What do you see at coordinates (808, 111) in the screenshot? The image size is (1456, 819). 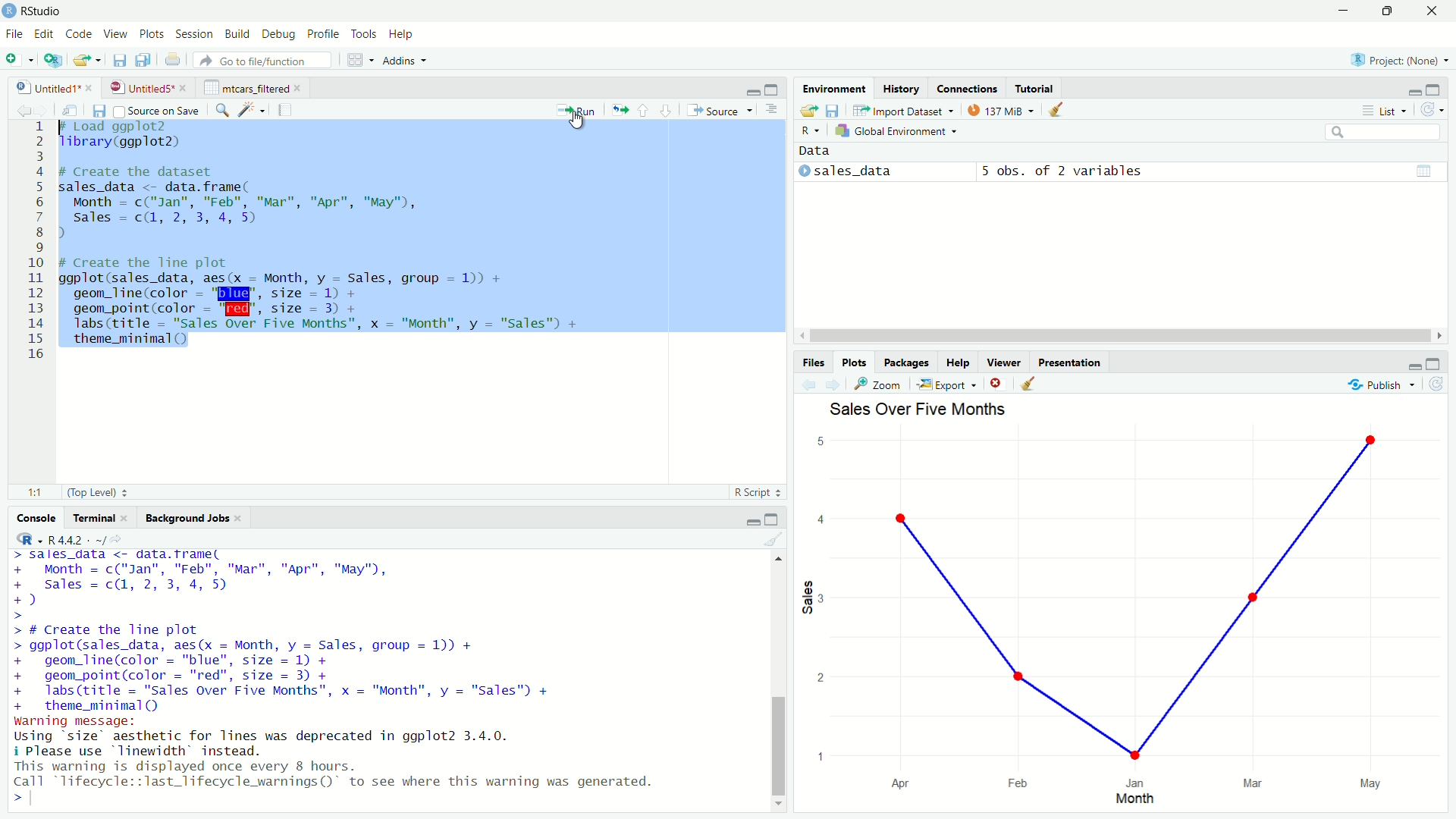 I see `open file` at bounding box center [808, 111].